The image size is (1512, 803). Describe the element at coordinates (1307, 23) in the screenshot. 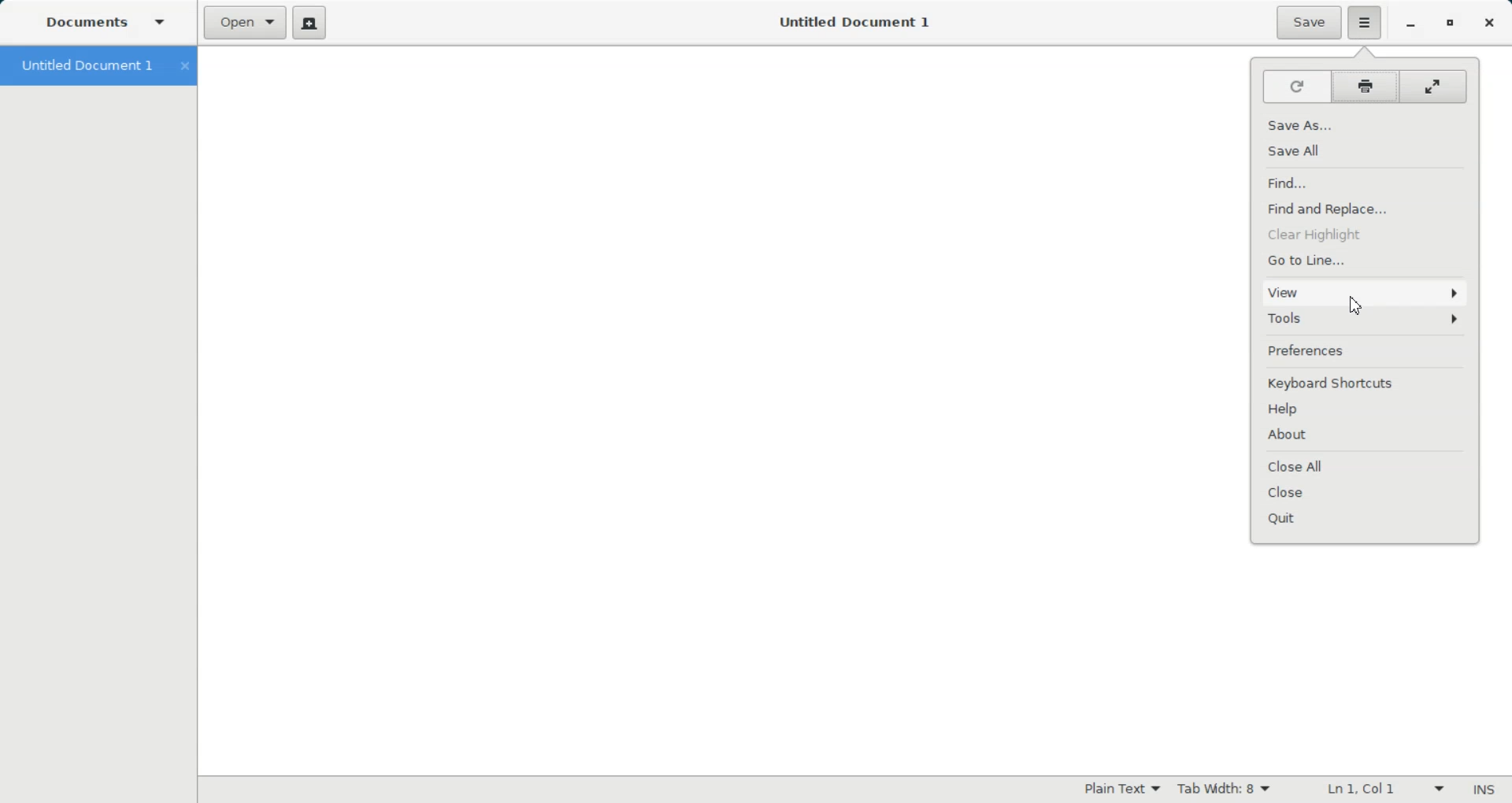

I see `Save` at that location.